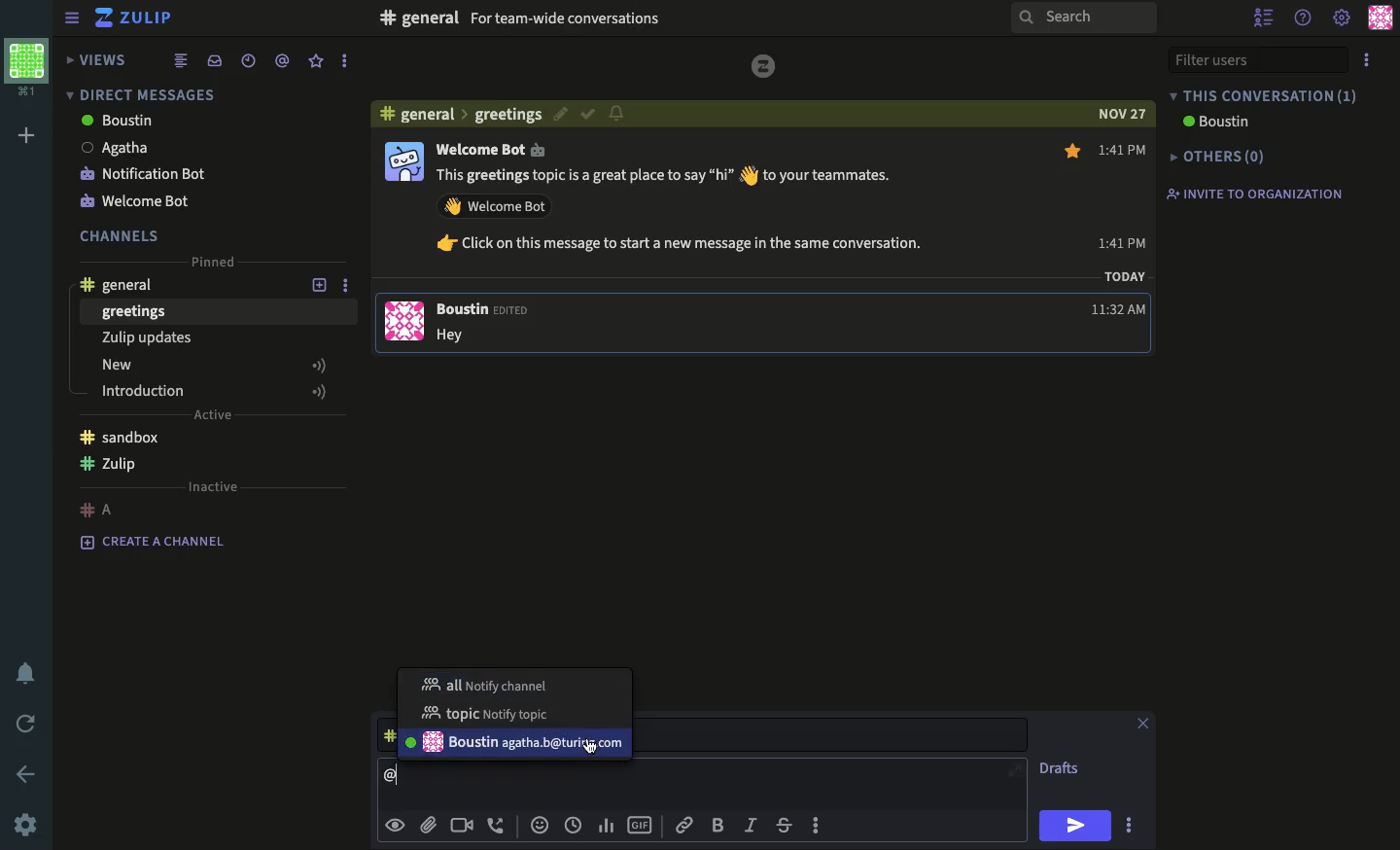 Image resolution: width=1400 pixels, height=850 pixels. I want to click on #F general For team-wide conversations, so click(607, 17).